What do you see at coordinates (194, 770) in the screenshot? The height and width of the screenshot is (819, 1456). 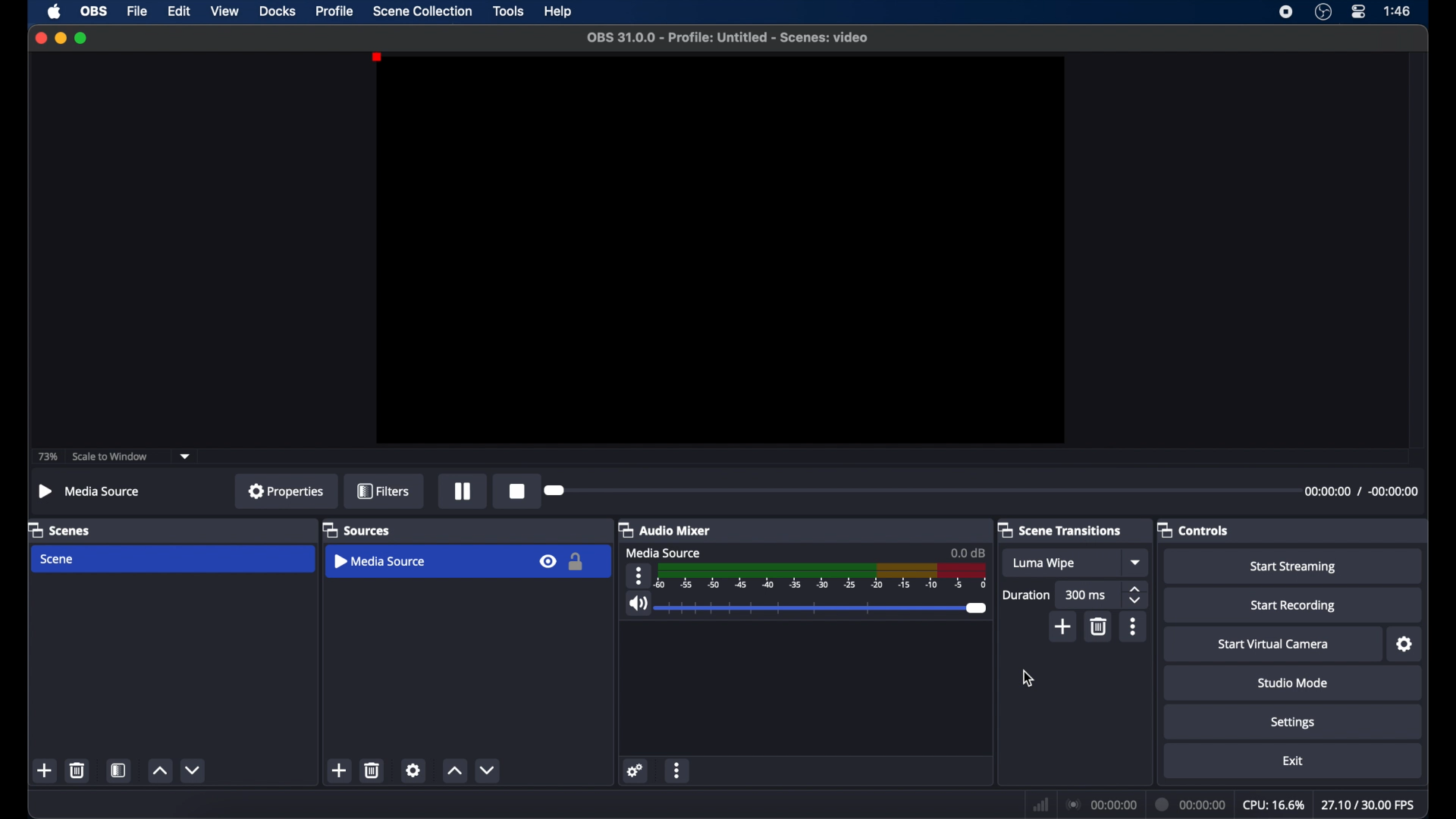 I see `decrement` at bounding box center [194, 770].